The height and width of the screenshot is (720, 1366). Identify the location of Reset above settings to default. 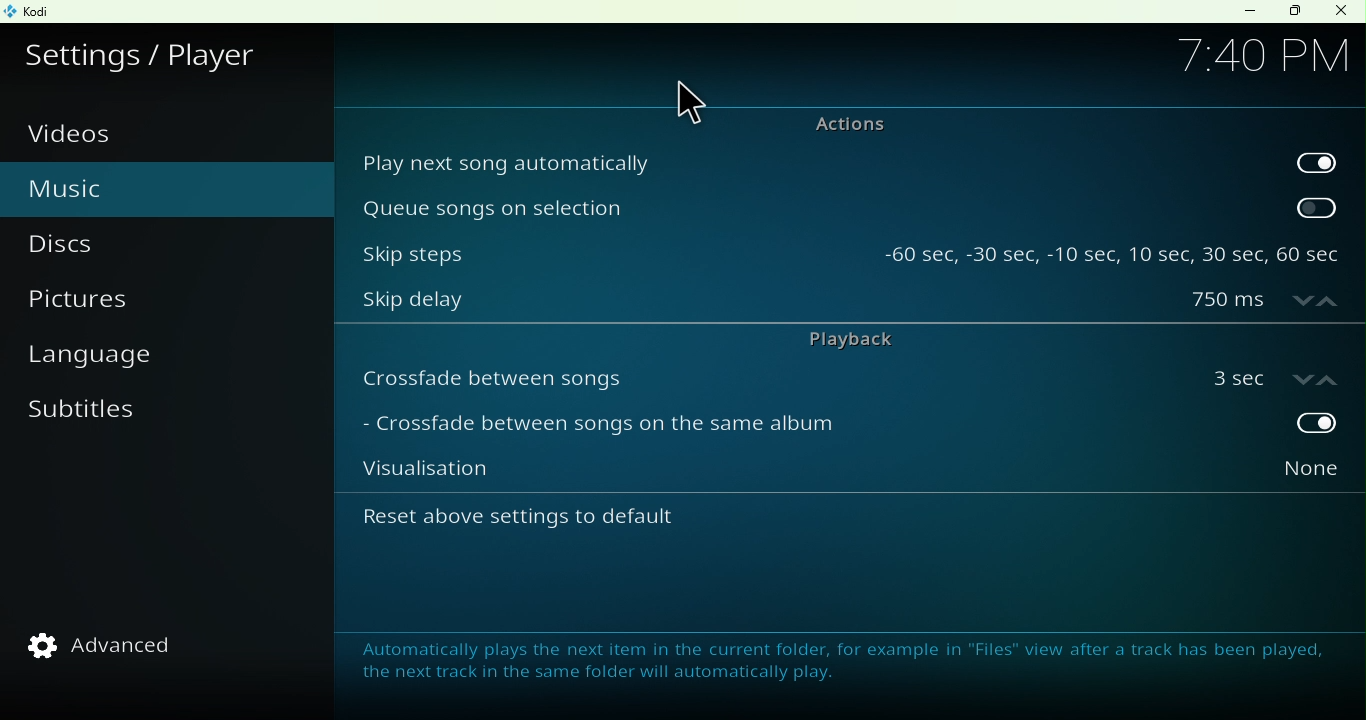
(576, 524).